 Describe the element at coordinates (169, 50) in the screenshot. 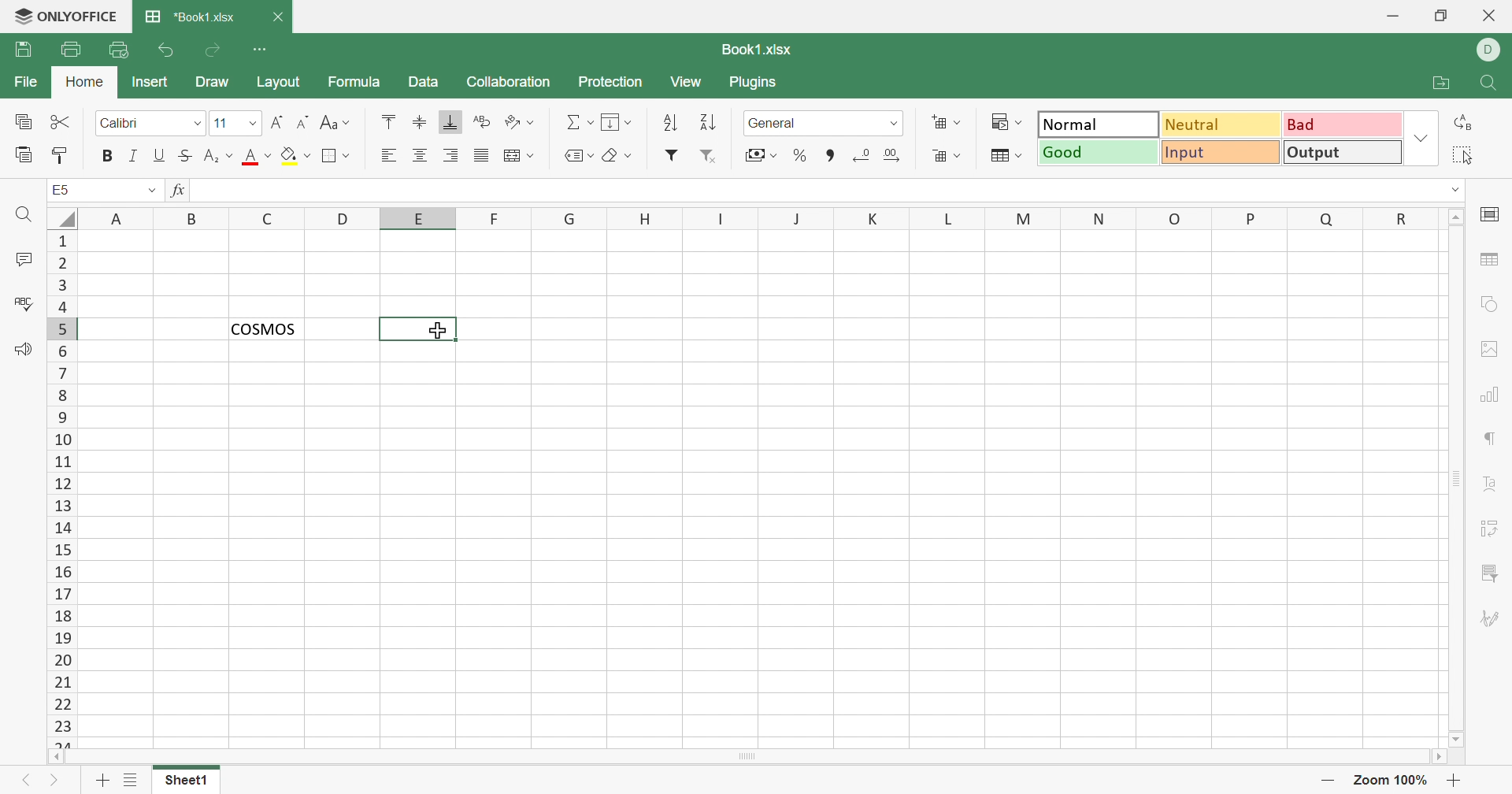

I see `Undo` at that location.